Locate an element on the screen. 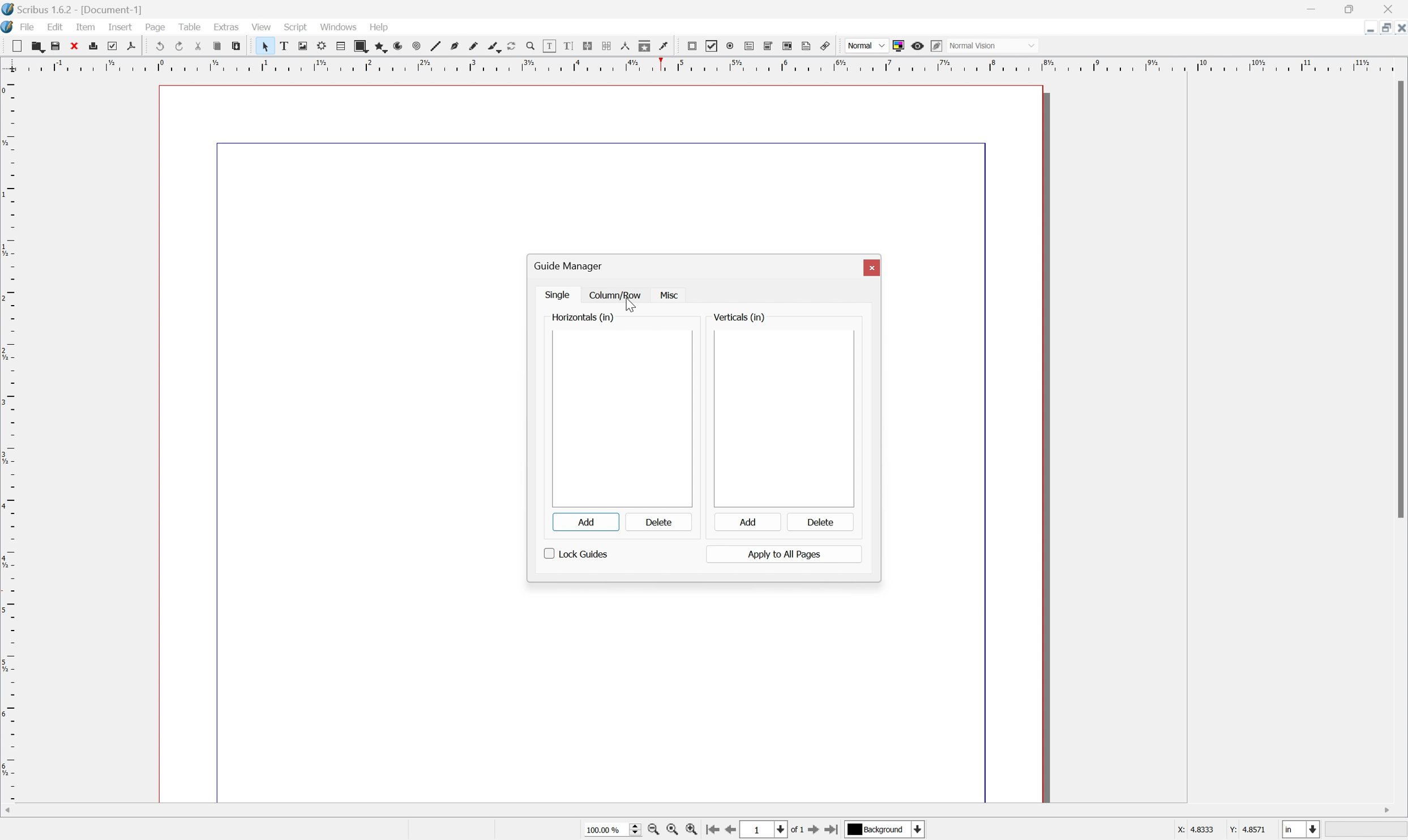 The height and width of the screenshot is (840, 1408). redo is located at coordinates (179, 46).